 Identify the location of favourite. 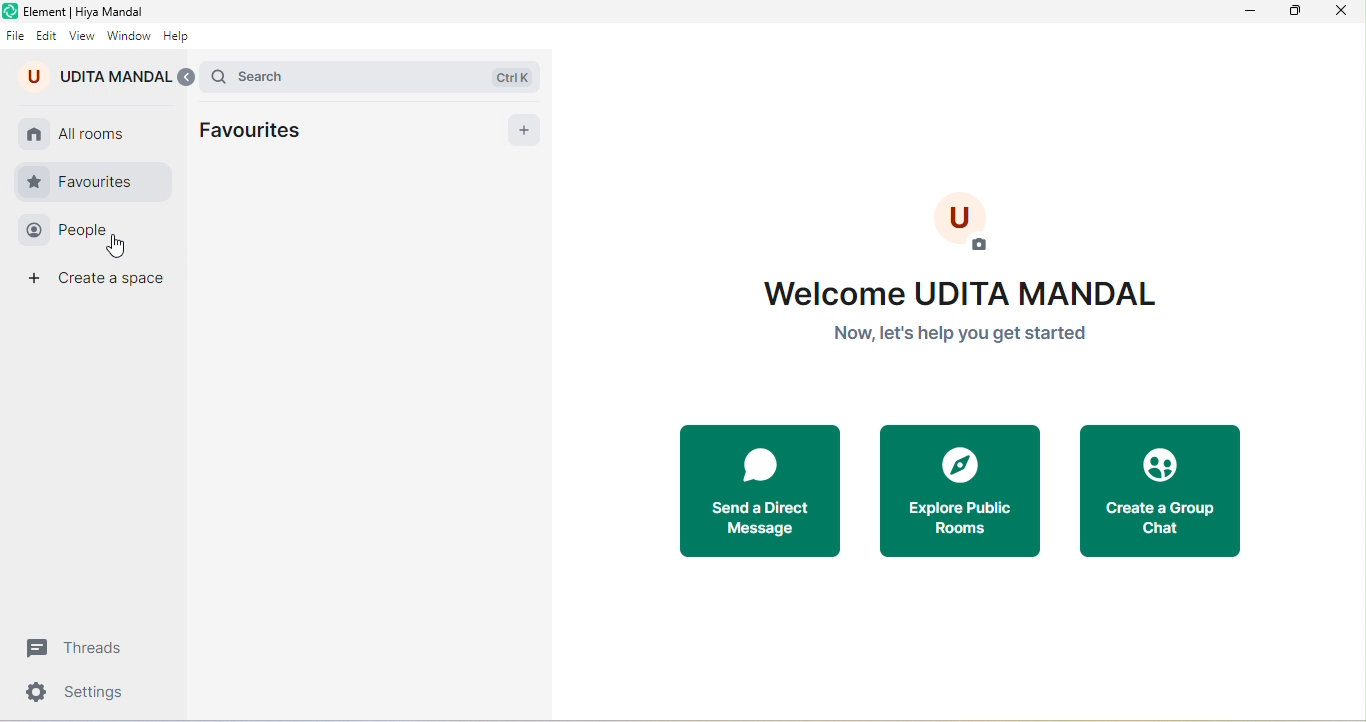
(86, 179).